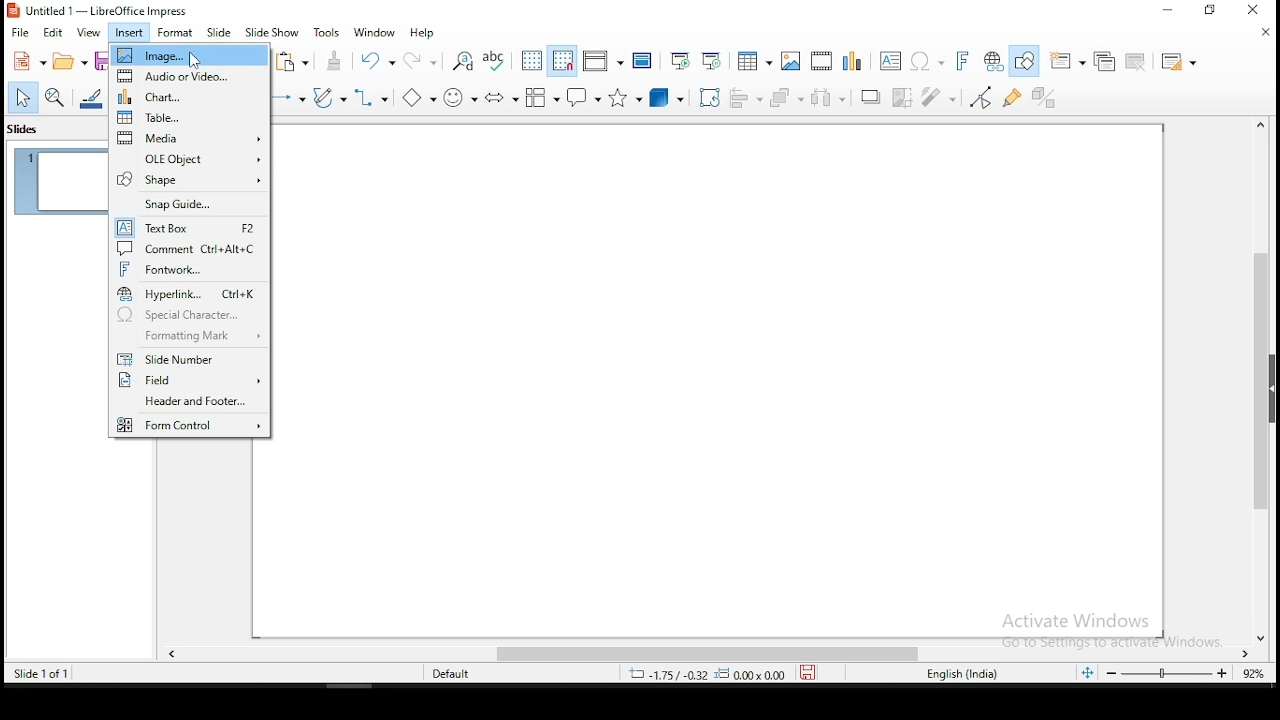 This screenshot has width=1280, height=720. Describe the element at coordinates (1069, 62) in the screenshot. I see `new slide` at that location.